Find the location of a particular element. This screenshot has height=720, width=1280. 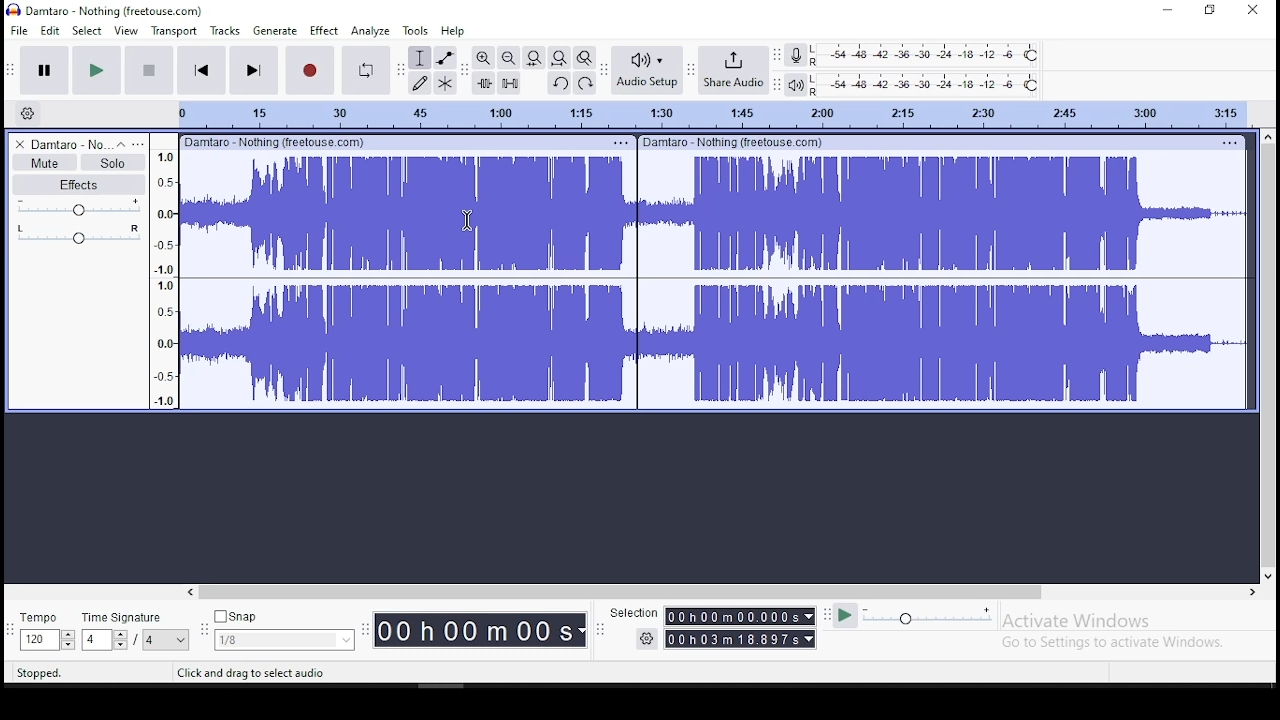

play at speed is located at coordinates (847, 616).